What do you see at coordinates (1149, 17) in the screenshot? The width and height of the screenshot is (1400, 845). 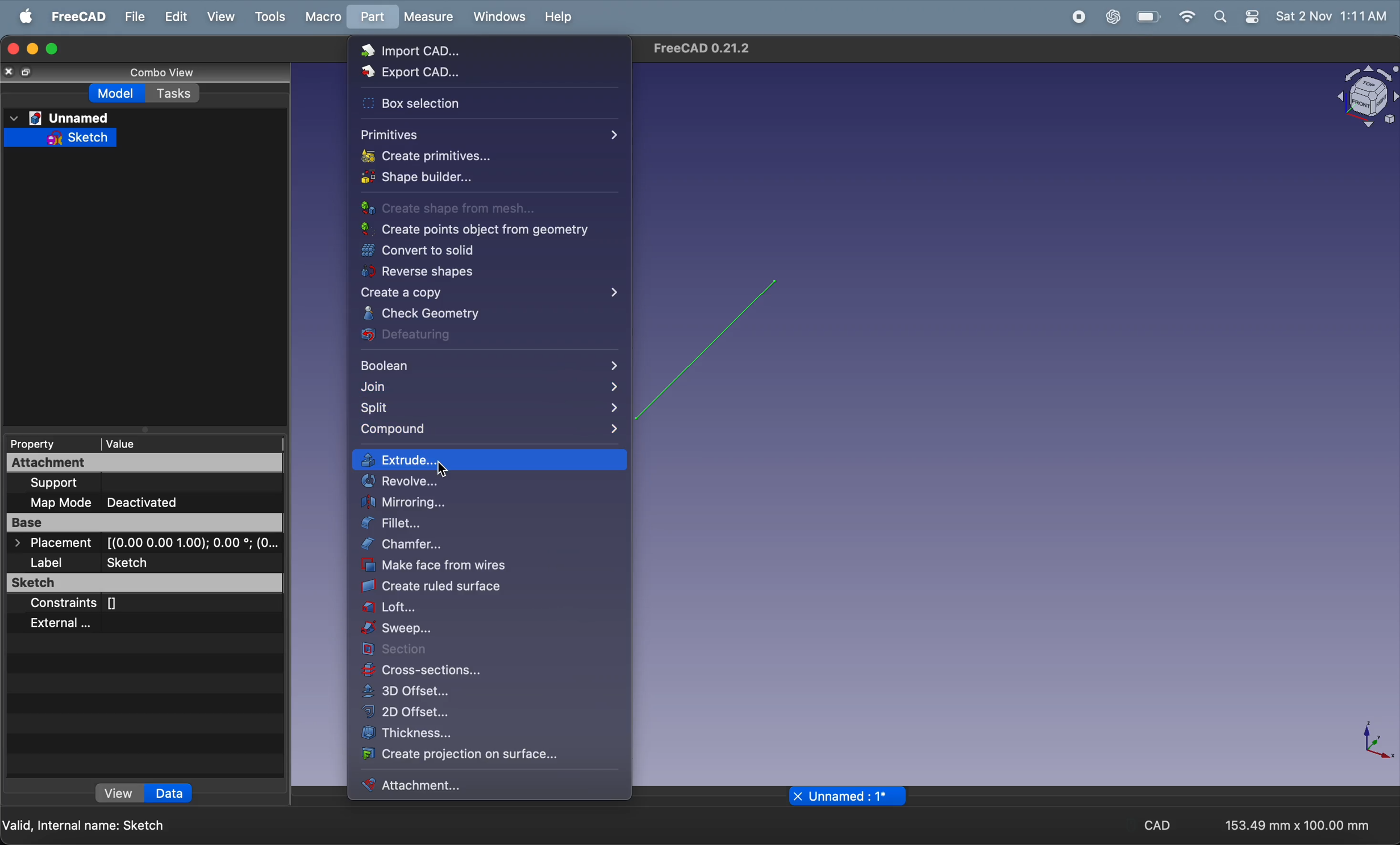 I see `battery` at bounding box center [1149, 17].